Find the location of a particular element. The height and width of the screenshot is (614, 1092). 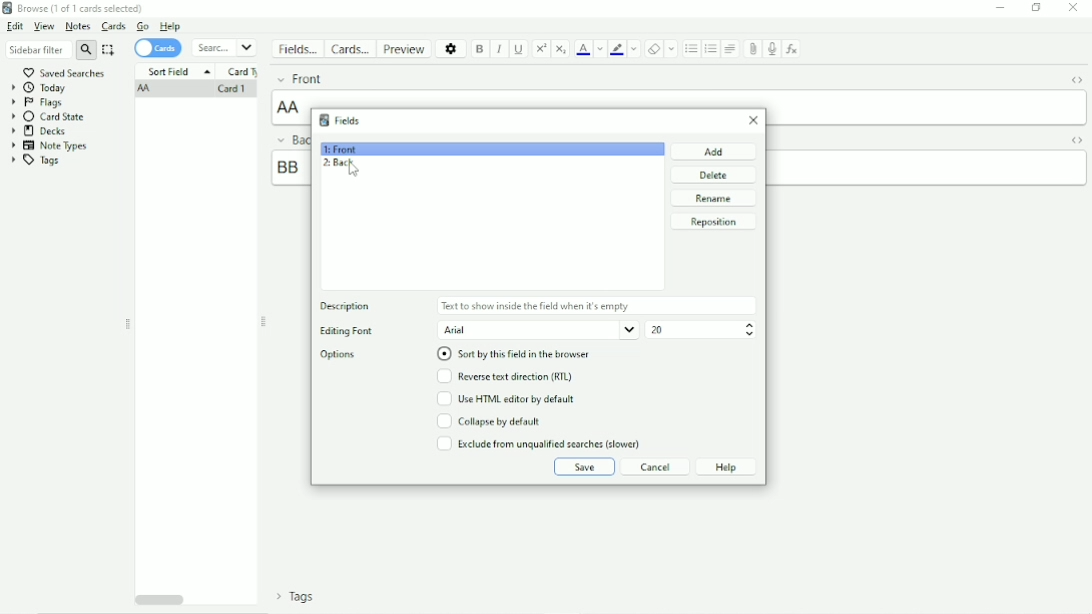

Search is located at coordinates (224, 48).